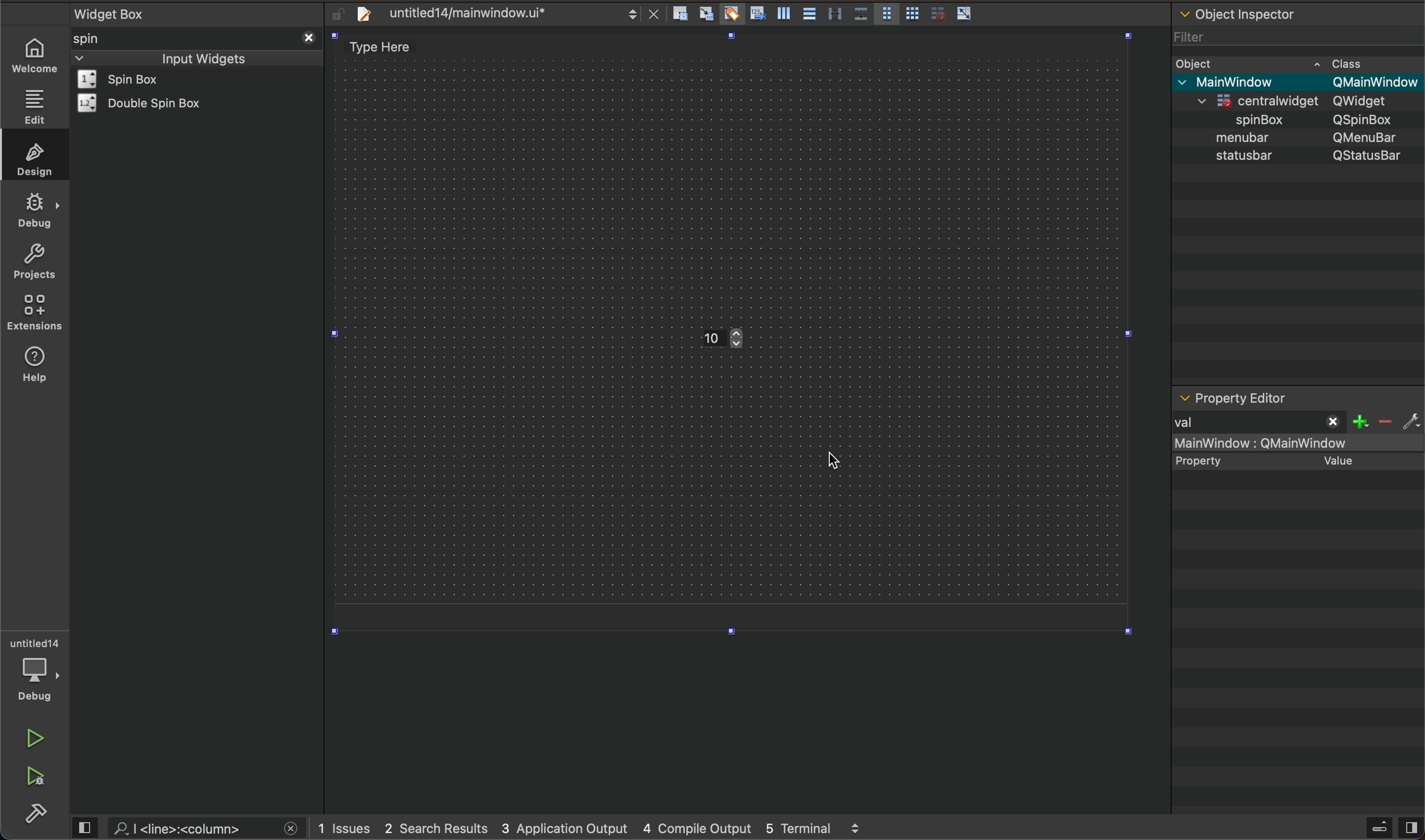 The image size is (1425, 840). I want to click on run and debug, so click(37, 779).